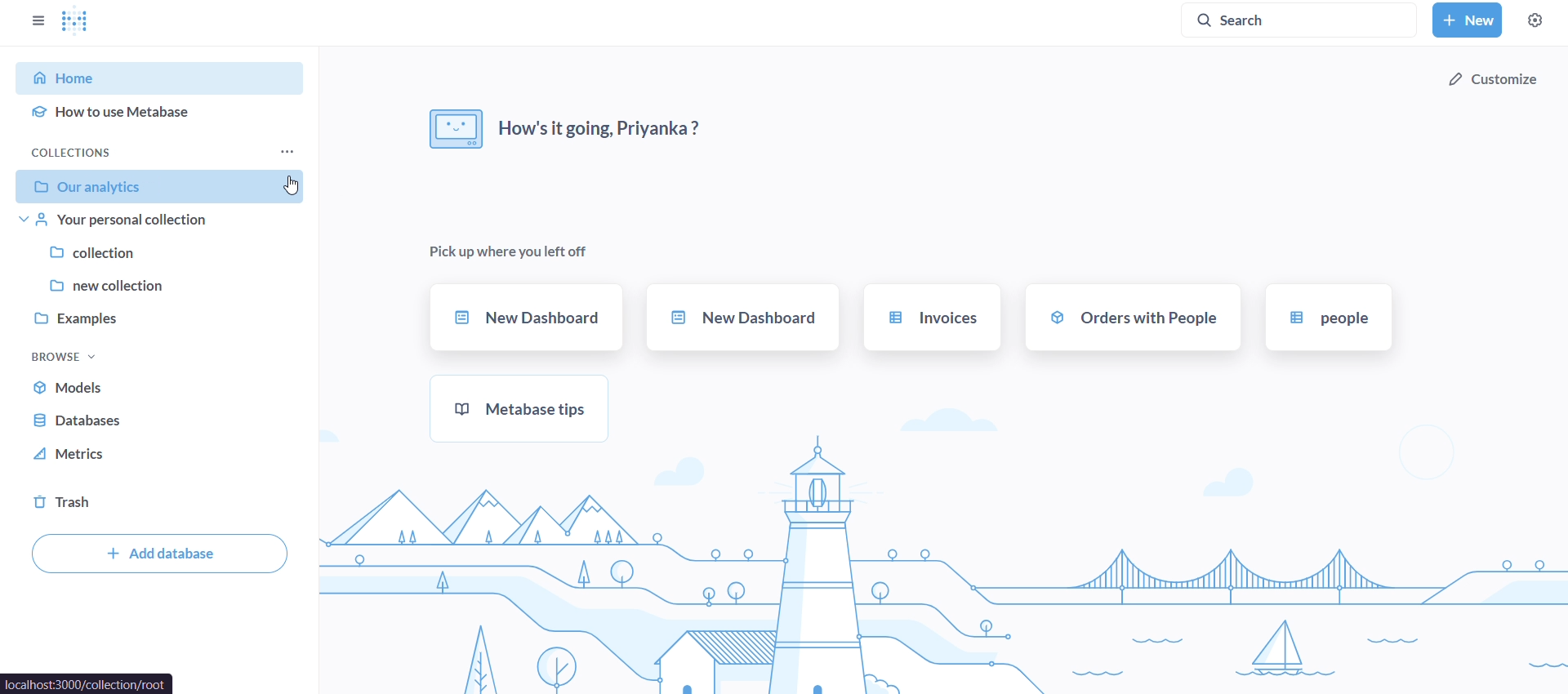 This screenshot has width=1568, height=694. What do you see at coordinates (85, 389) in the screenshot?
I see `models` at bounding box center [85, 389].